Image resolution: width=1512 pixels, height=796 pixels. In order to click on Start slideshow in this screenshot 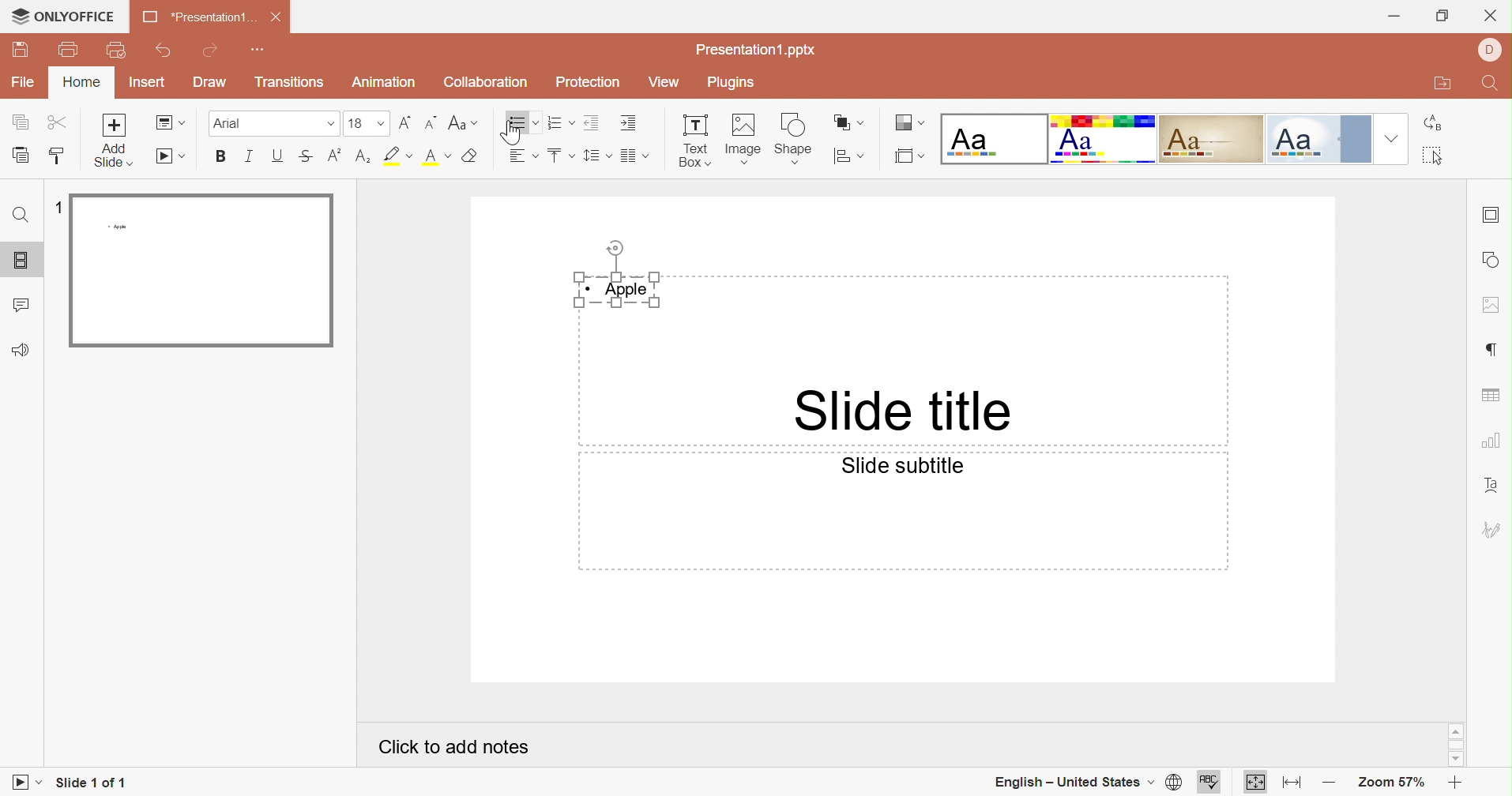, I will do `click(23, 785)`.